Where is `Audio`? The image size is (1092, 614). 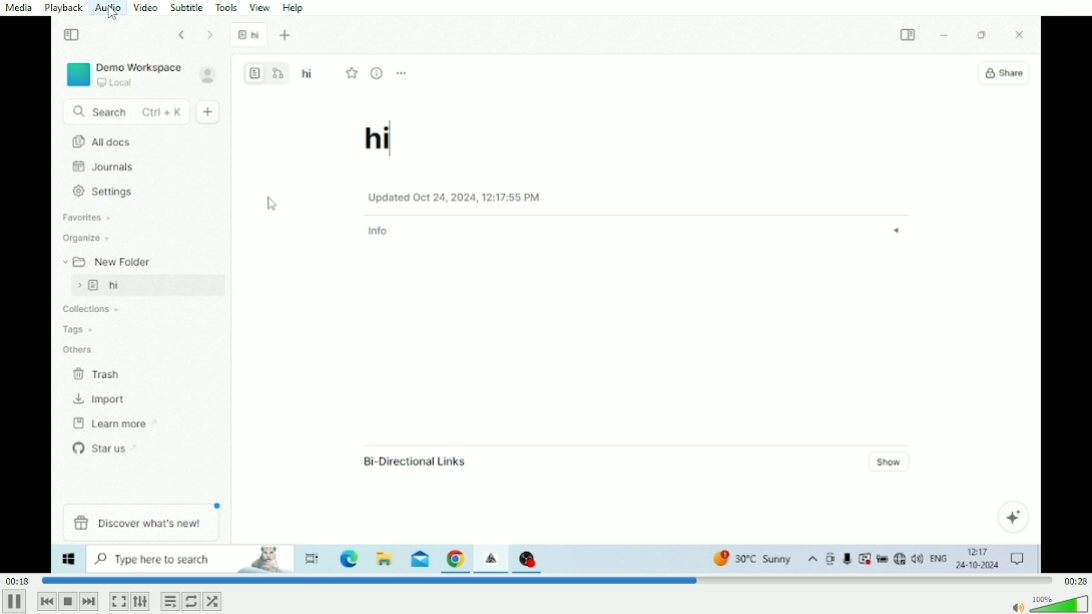
Audio is located at coordinates (108, 8).